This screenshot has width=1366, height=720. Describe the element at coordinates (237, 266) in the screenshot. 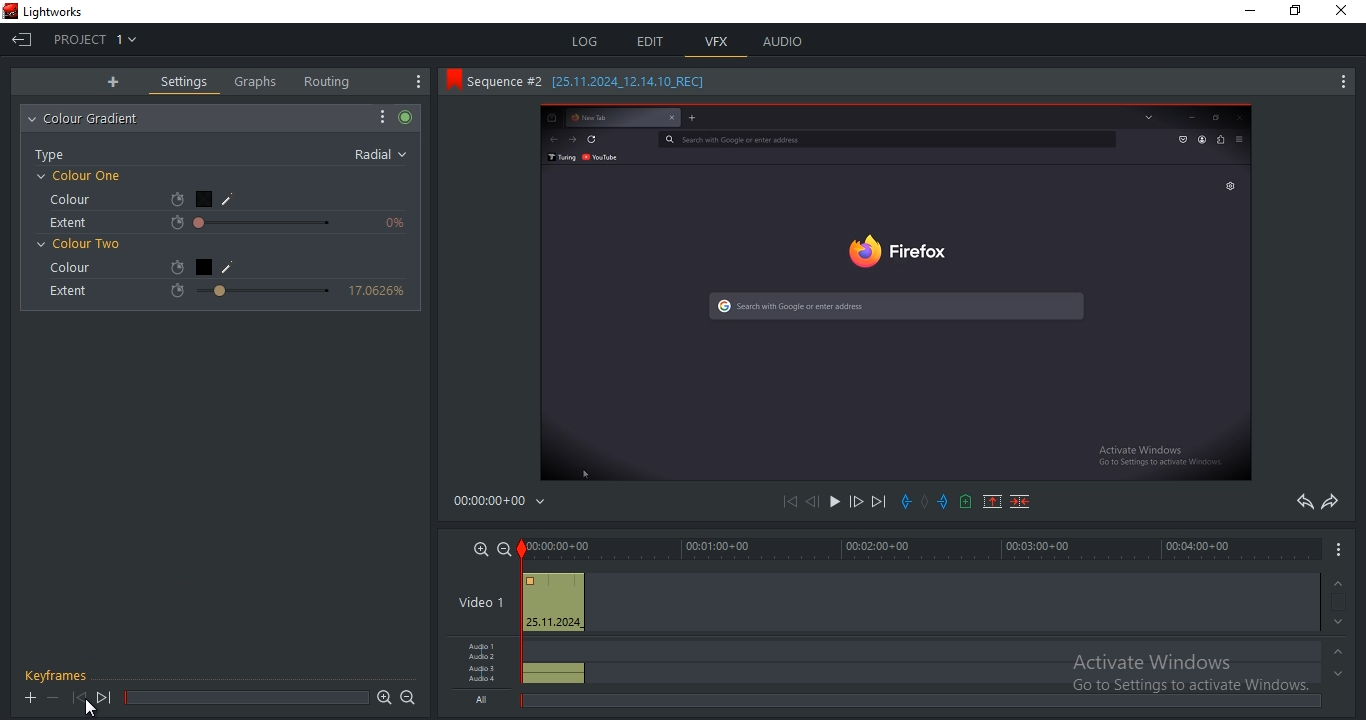

I see `color picker` at that location.